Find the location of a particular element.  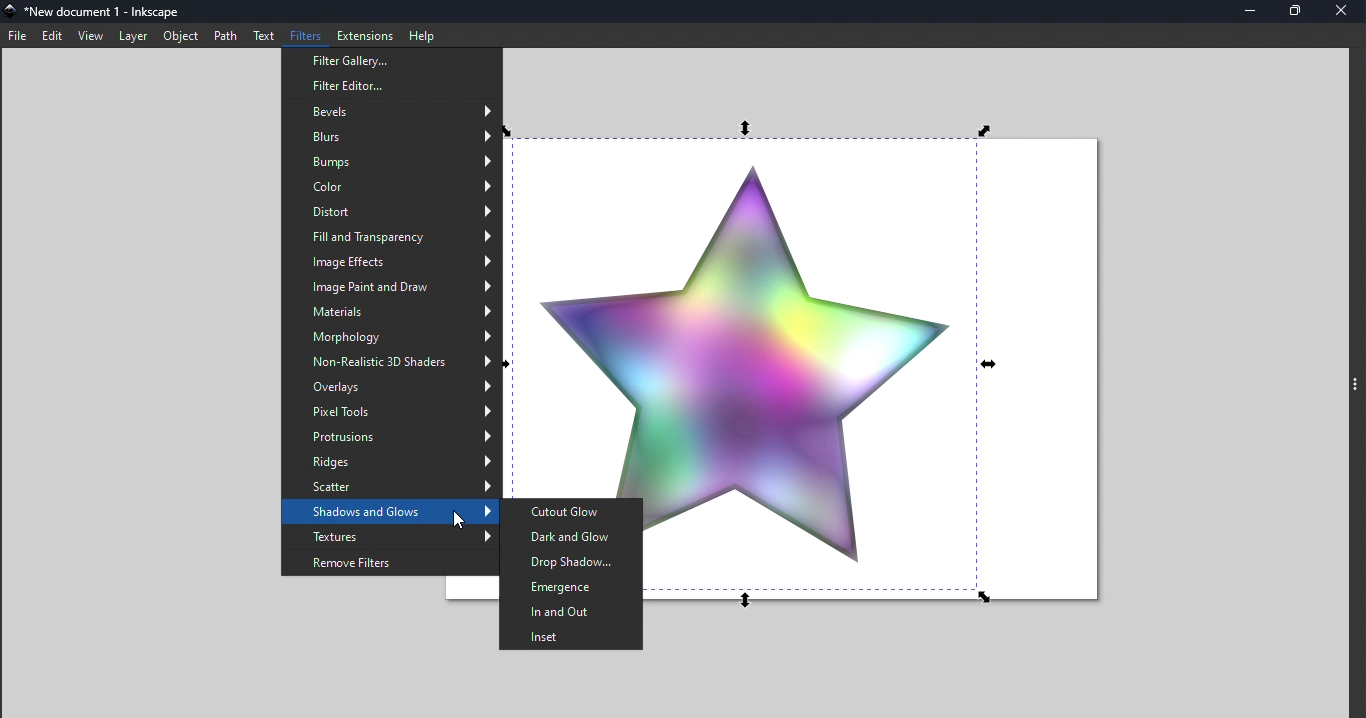

Object is located at coordinates (180, 36).